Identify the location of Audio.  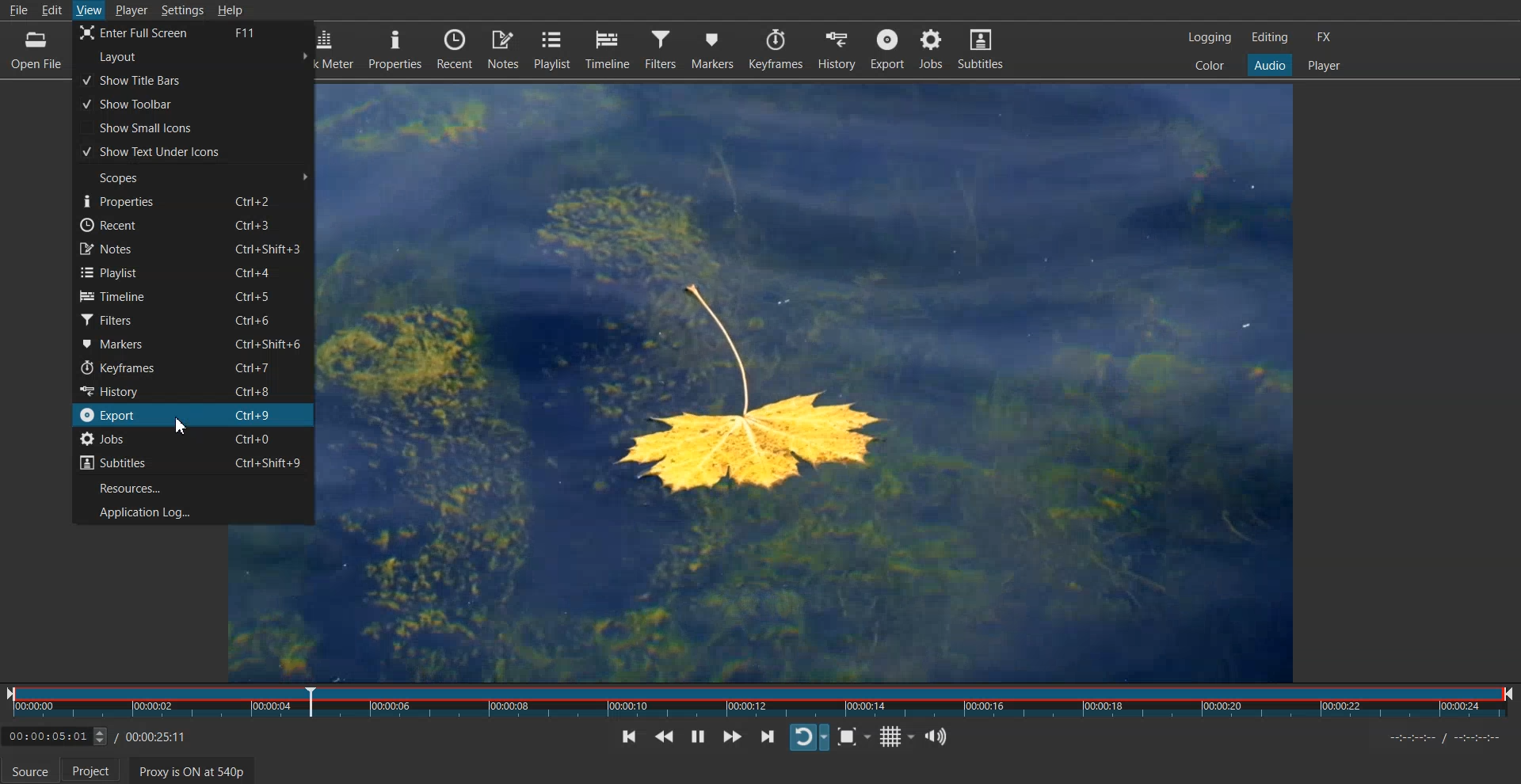
(1269, 64).